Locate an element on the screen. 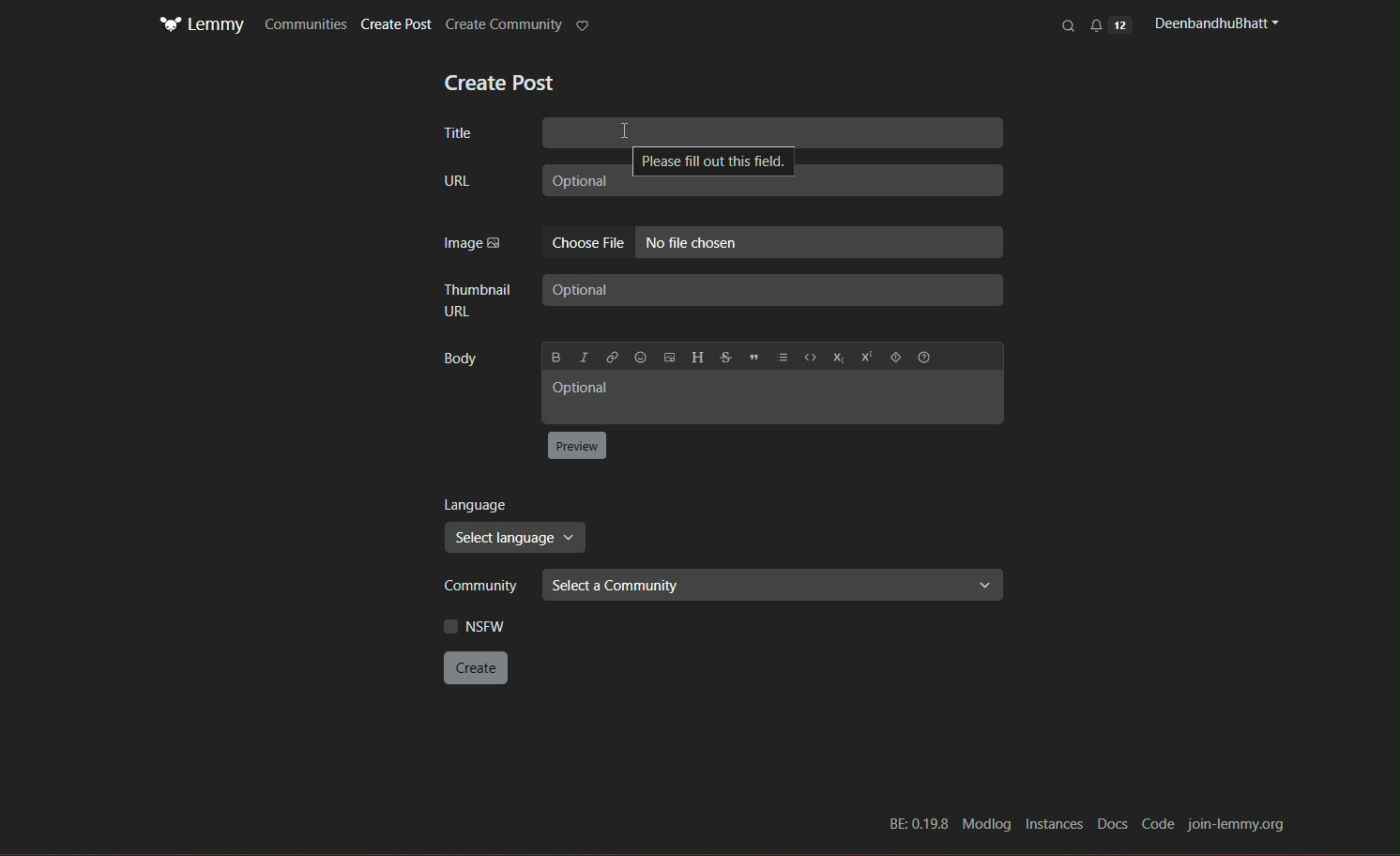 The height and width of the screenshot is (856, 1400). notification is located at coordinates (1110, 24).